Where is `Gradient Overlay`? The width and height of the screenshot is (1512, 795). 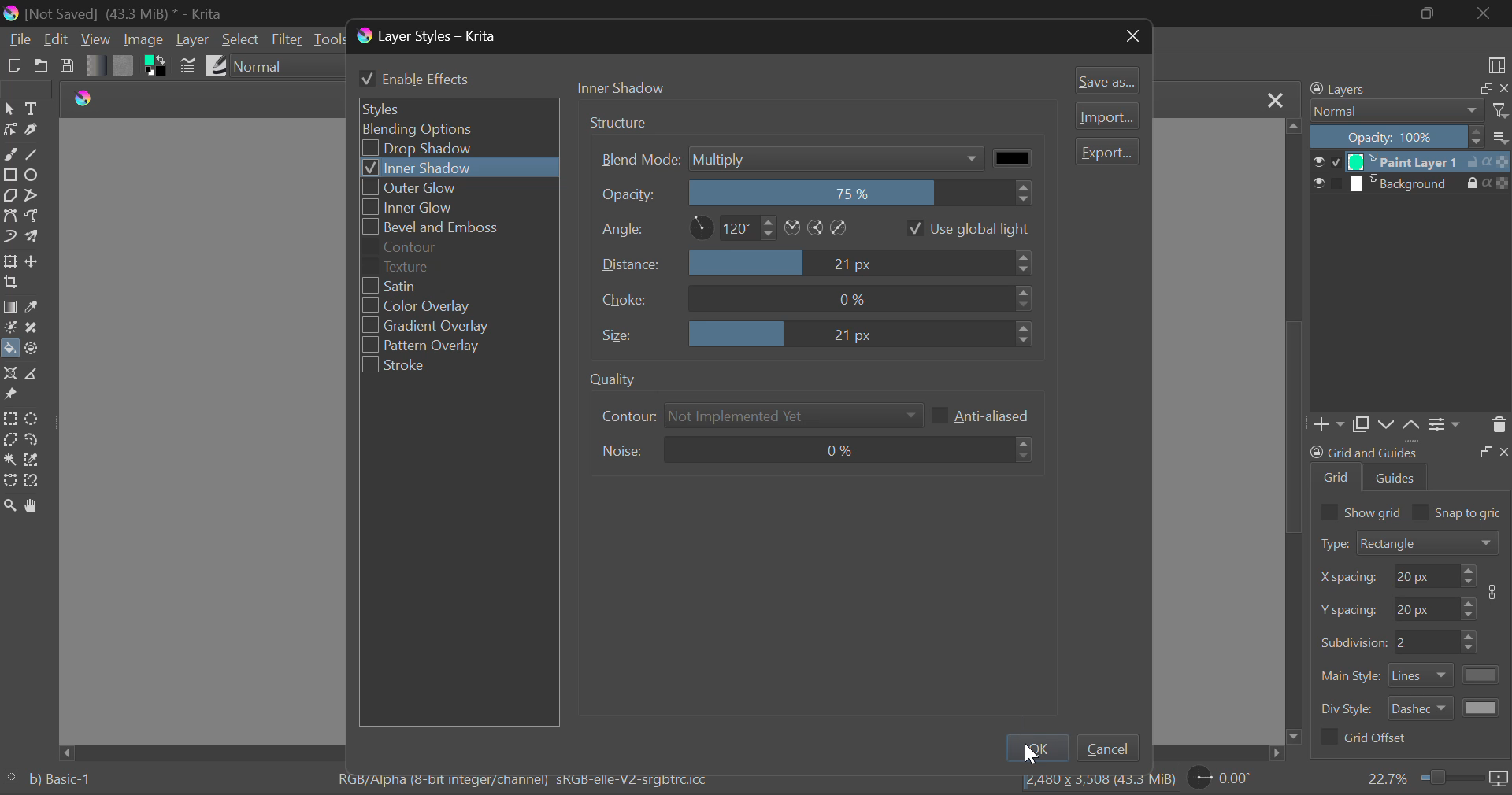
Gradient Overlay is located at coordinates (435, 326).